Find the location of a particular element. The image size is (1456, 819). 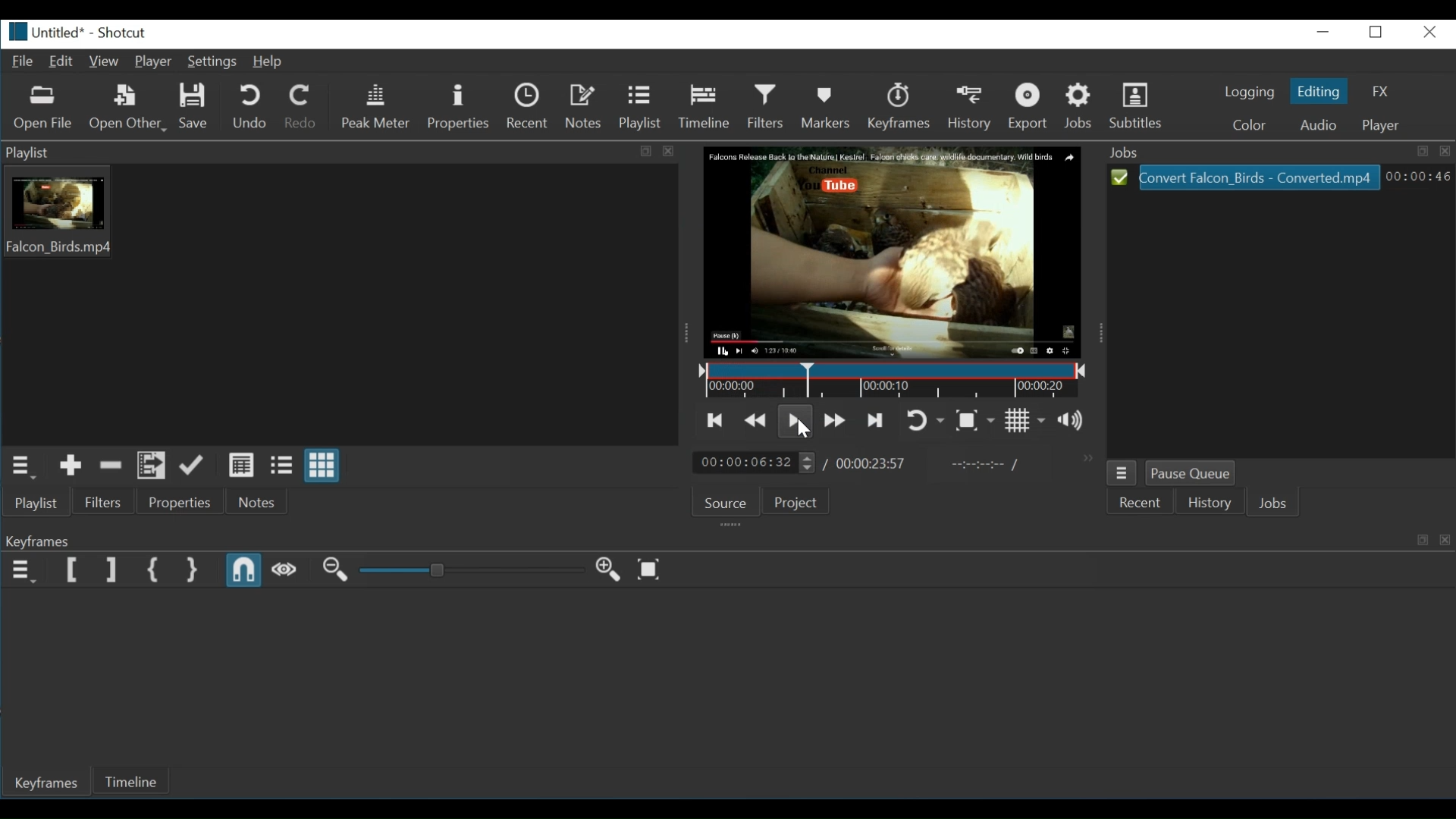

Projects is located at coordinates (795, 500).